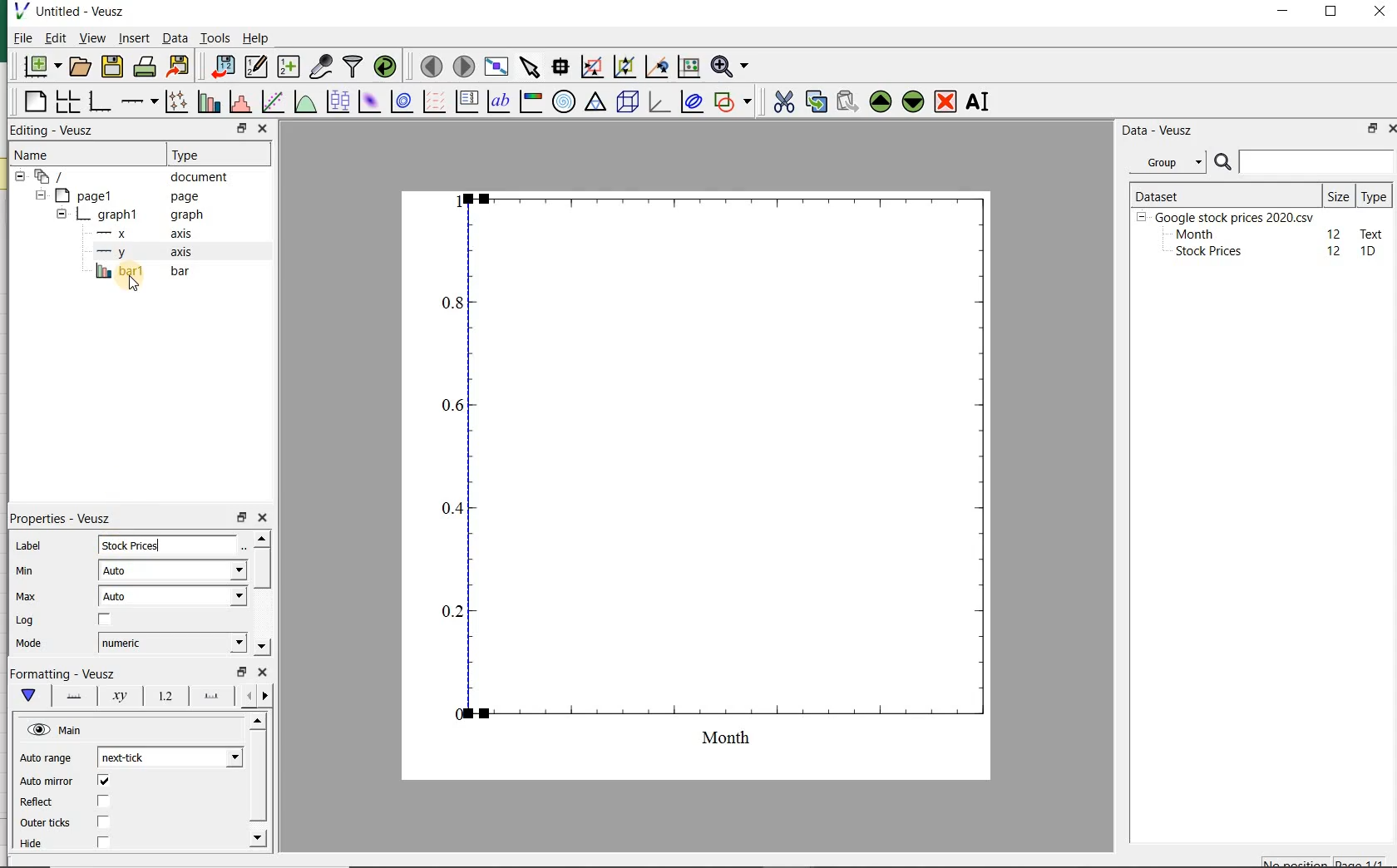 This screenshot has width=1397, height=868. Describe the element at coordinates (81, 66) in the screenshot. I see `open a document` at that location.